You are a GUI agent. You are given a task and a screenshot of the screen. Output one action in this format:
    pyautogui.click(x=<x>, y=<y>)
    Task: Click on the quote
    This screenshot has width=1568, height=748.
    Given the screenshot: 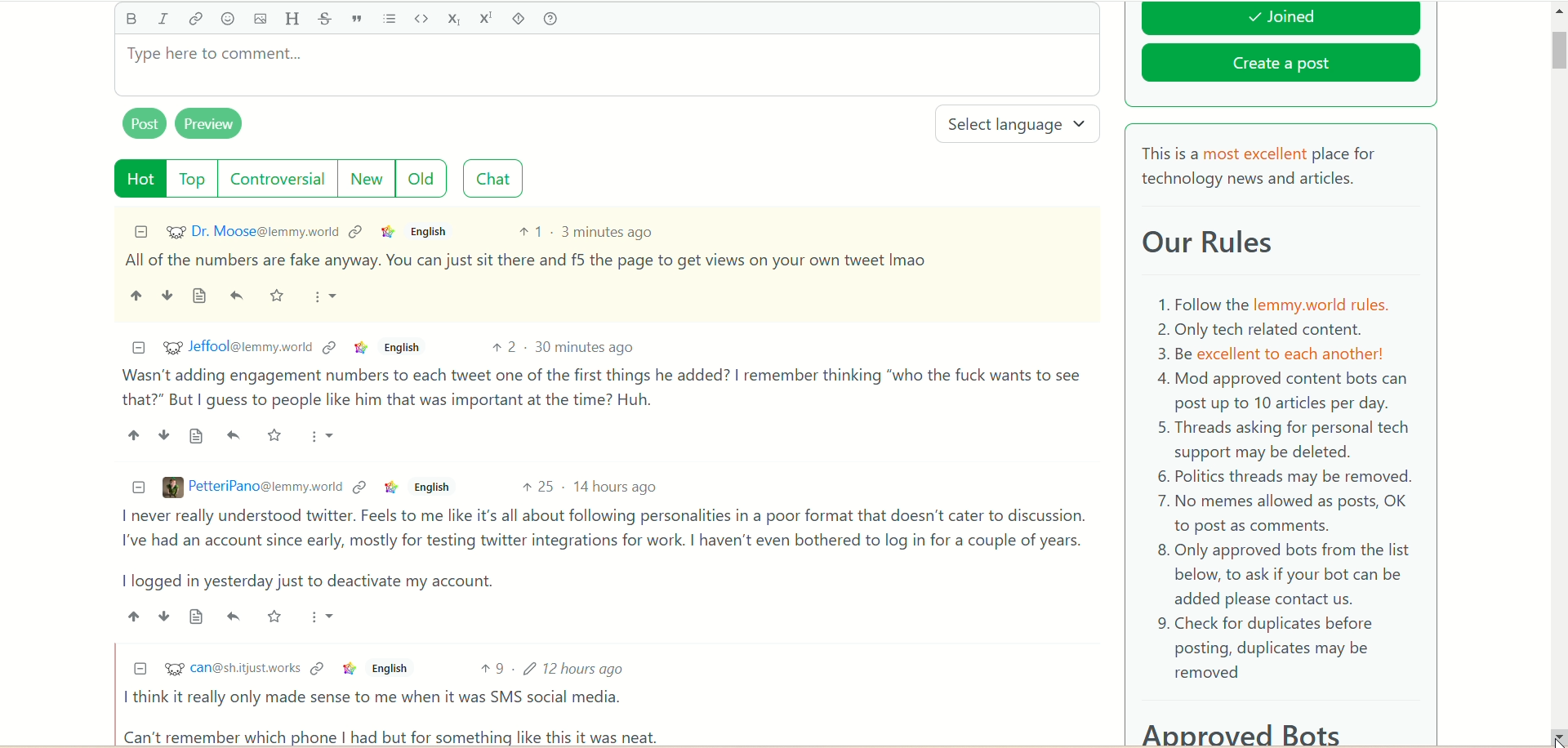 What is the action you would take?
    pyautogui.click(x=356, y=19)
    